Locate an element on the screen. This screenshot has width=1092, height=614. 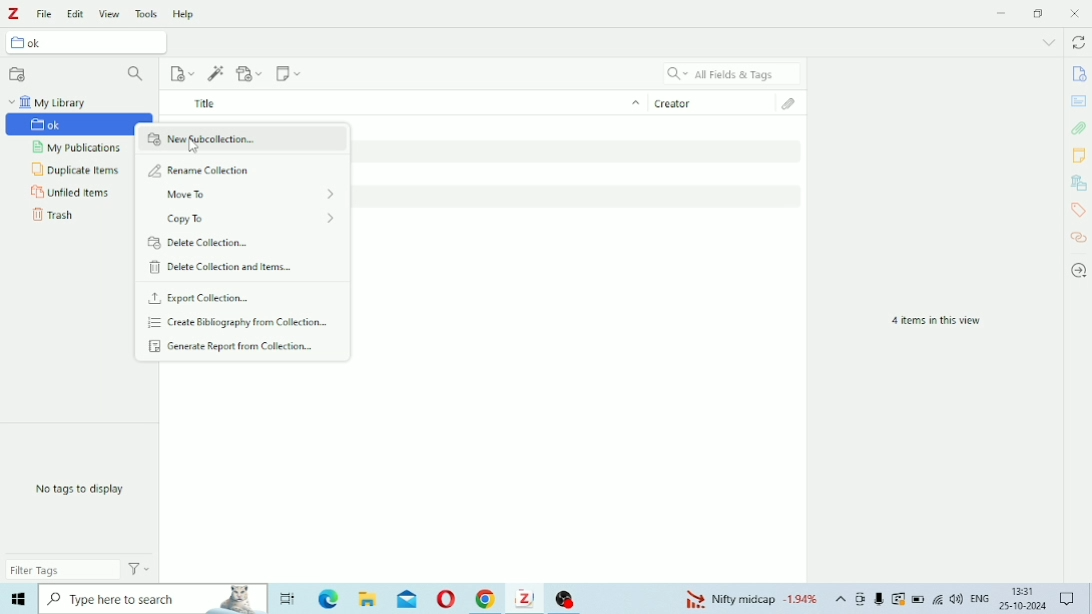
25-10-2024 is located at coordinates (1023, 606).